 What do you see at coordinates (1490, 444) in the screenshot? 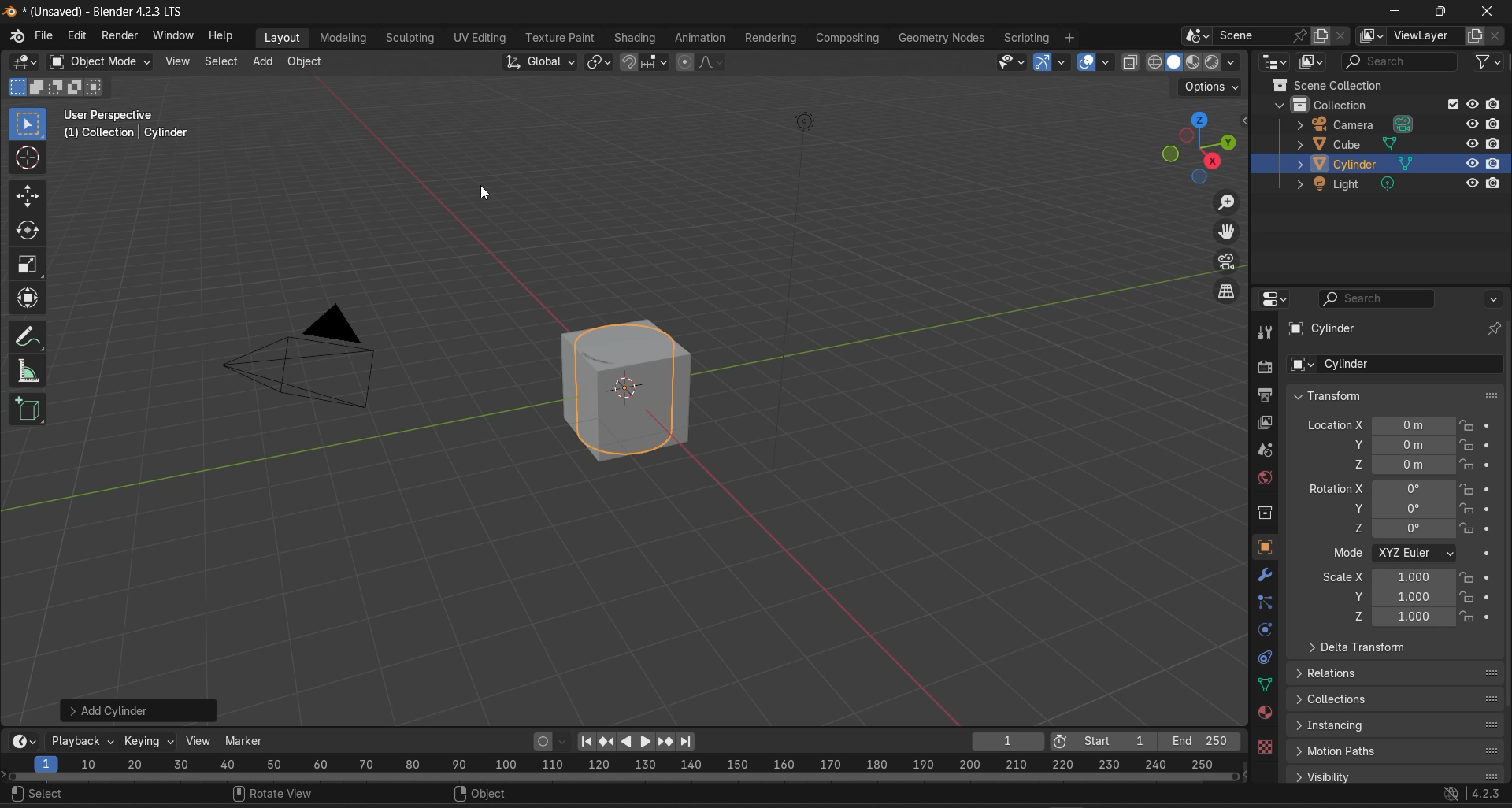
I see `animate property` at bounding box center [1490, 444].